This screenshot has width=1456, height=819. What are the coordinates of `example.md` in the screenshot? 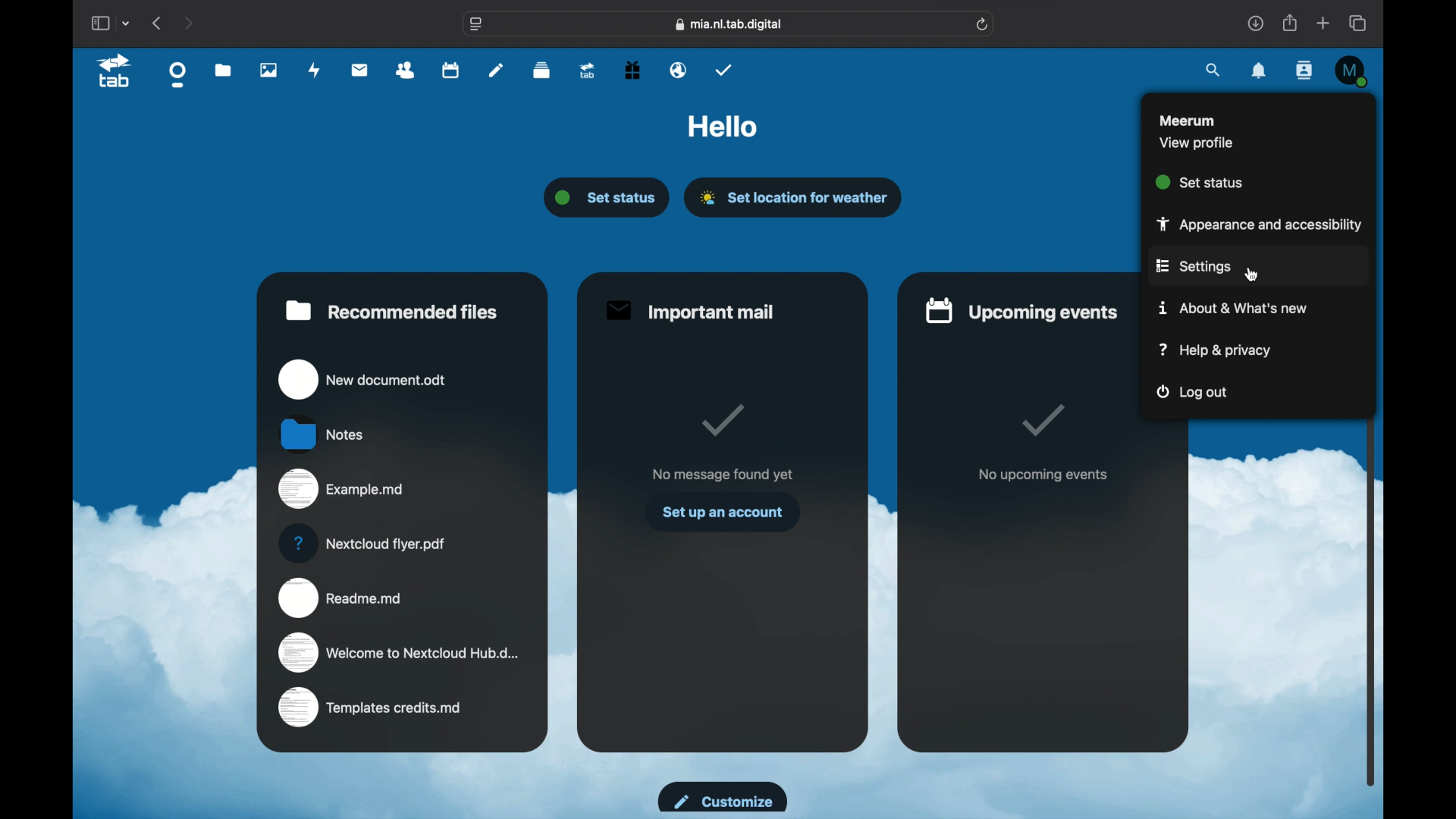 It's located at (343, 489).